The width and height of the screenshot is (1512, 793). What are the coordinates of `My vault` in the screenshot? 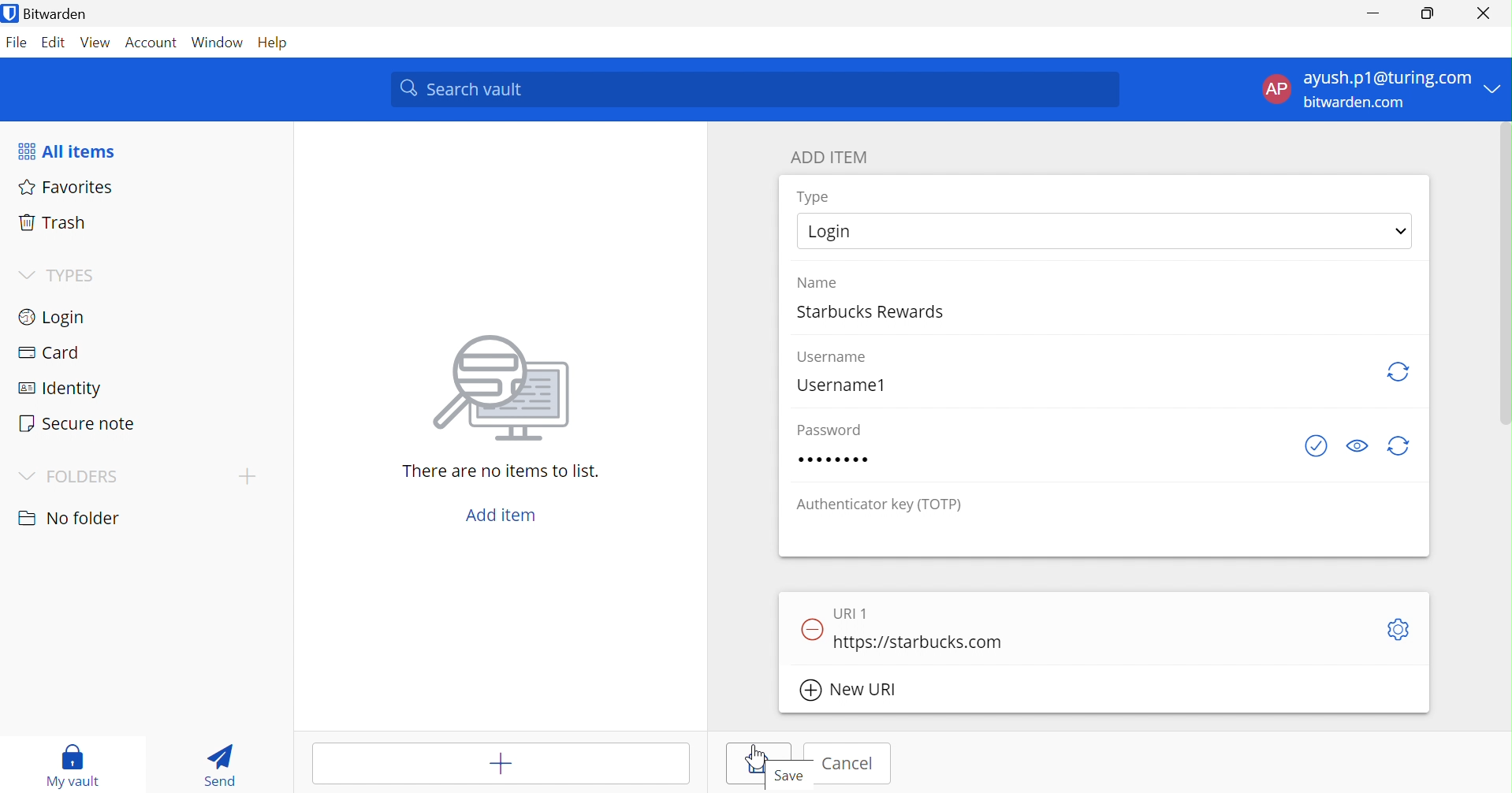 It's located at (77, 766).